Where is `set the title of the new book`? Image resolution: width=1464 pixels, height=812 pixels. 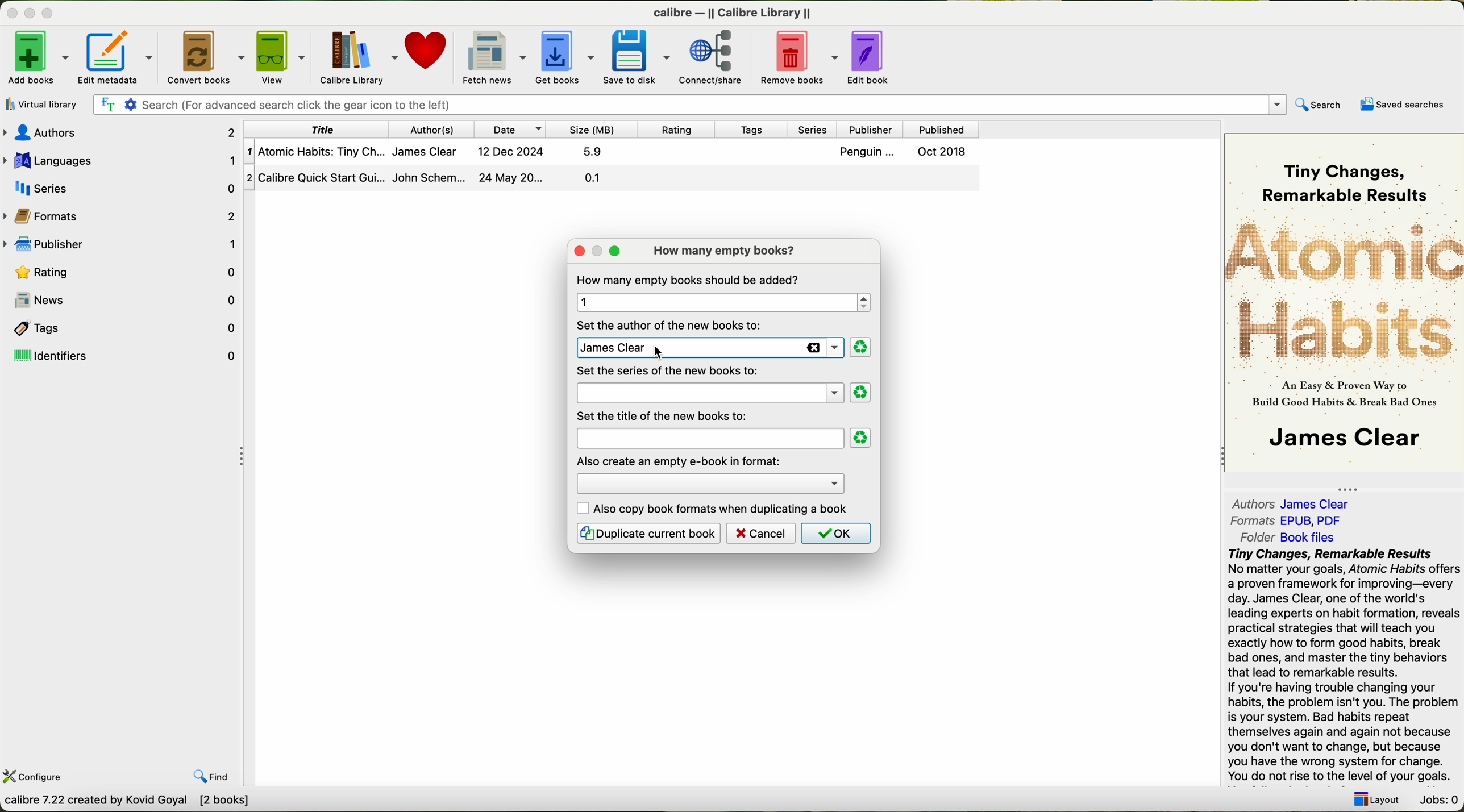
set the title of the new book is located at coordinates (666, 415).